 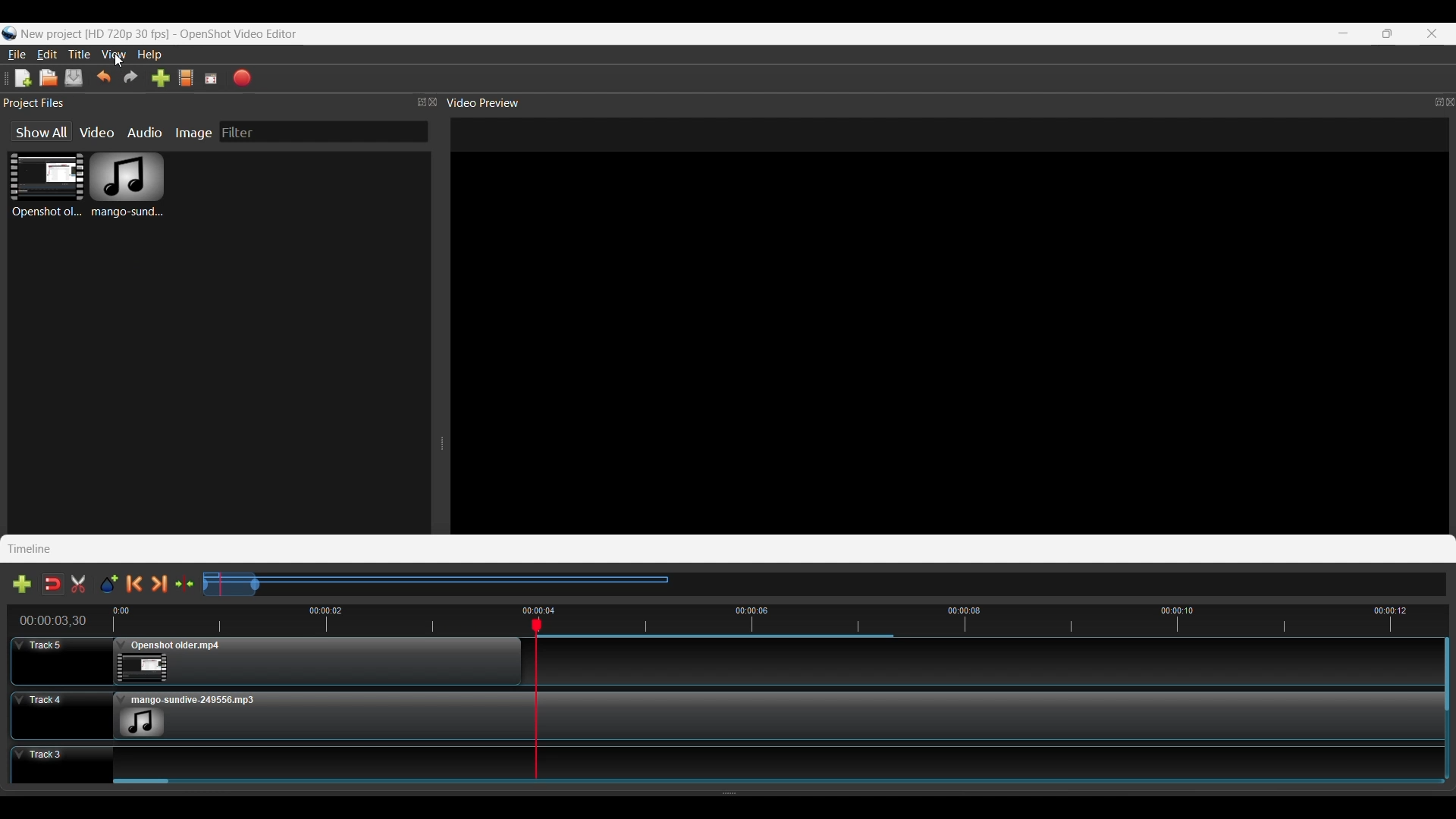 I want to click on Maximize, so click(x=1429, y=99).